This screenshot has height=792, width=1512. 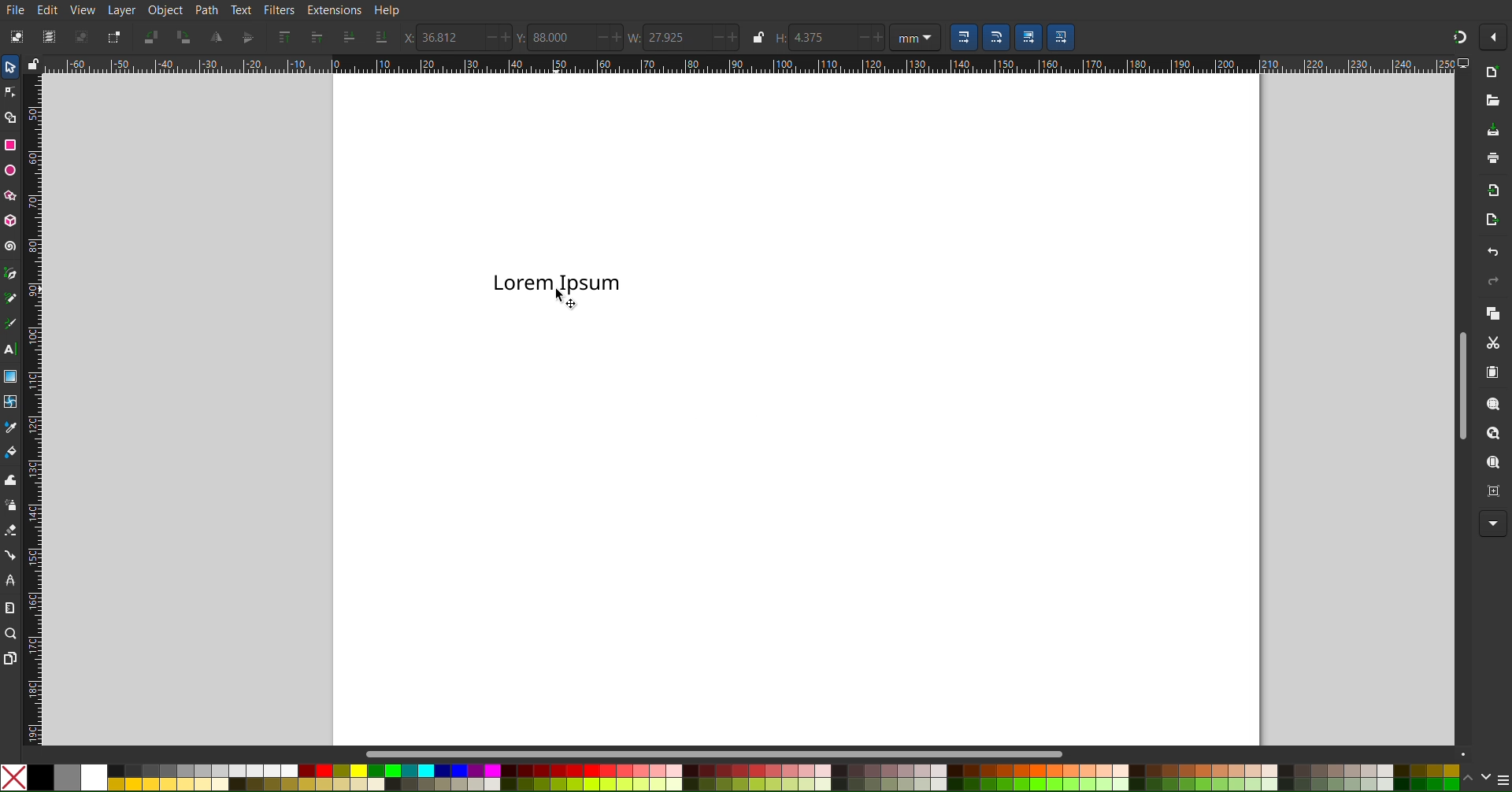 I want to click on LPE Tool, so click(x=9, y=582).